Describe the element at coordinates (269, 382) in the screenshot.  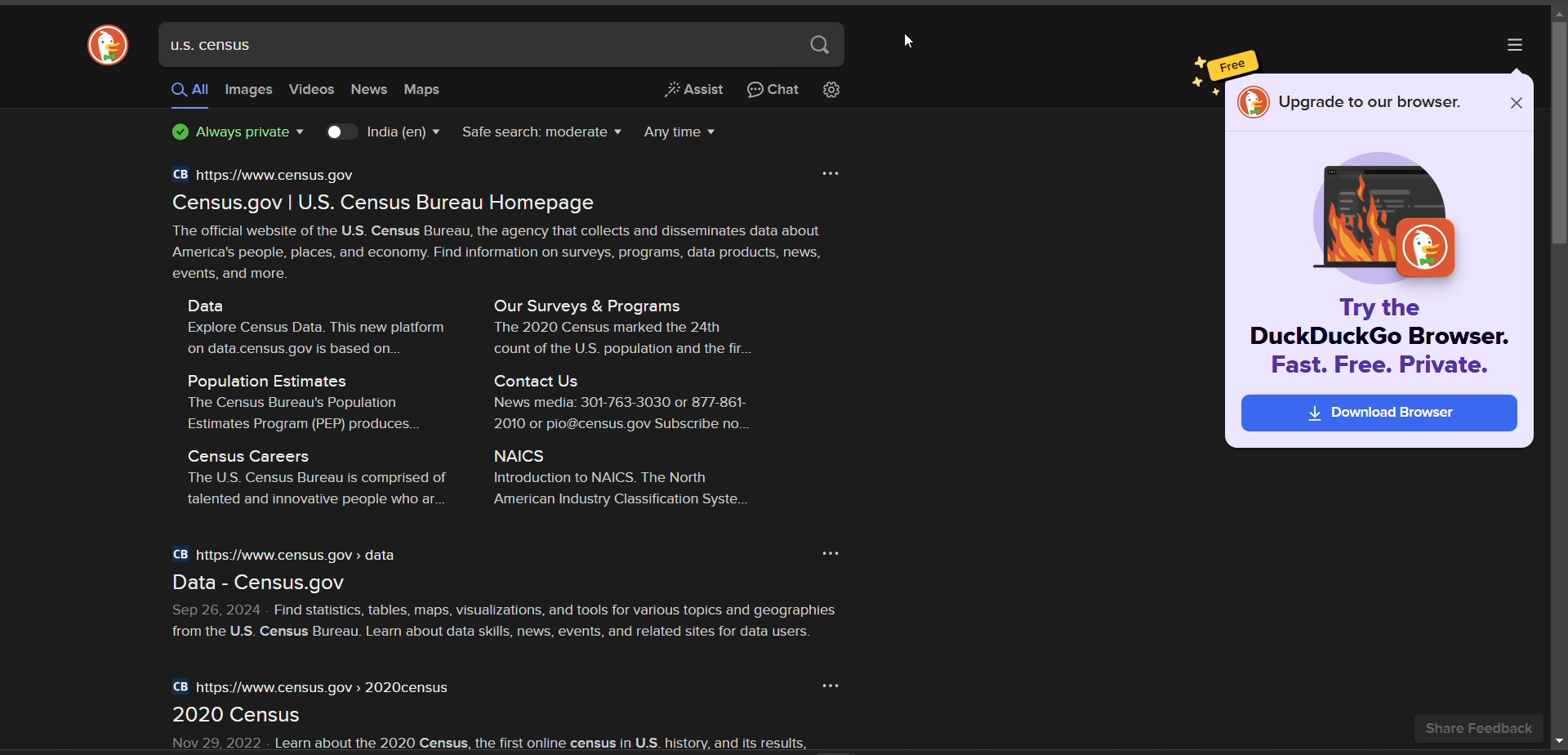
I see `Population Estimates` at that location.